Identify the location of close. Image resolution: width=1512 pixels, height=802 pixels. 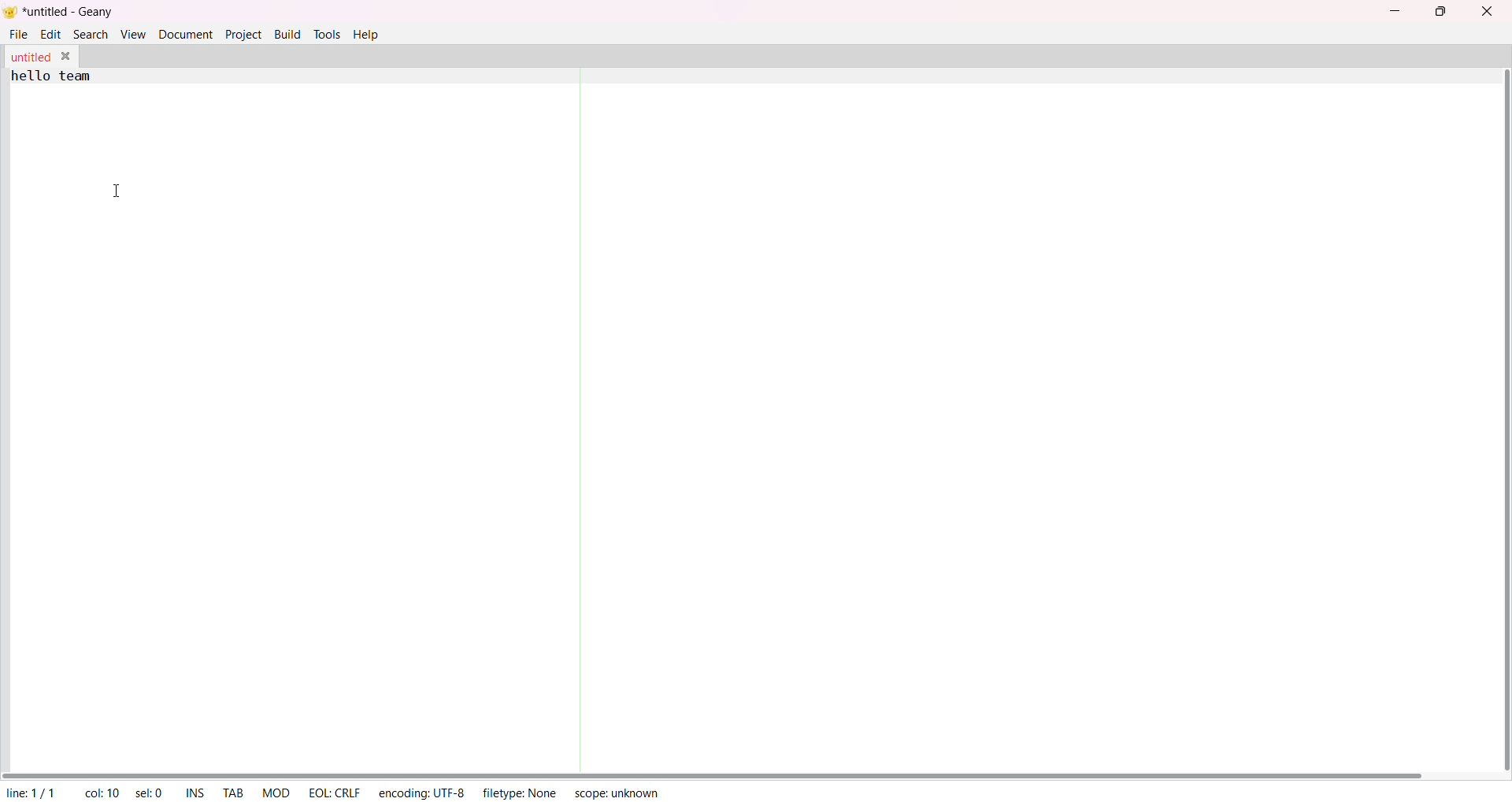
(1488, 14).